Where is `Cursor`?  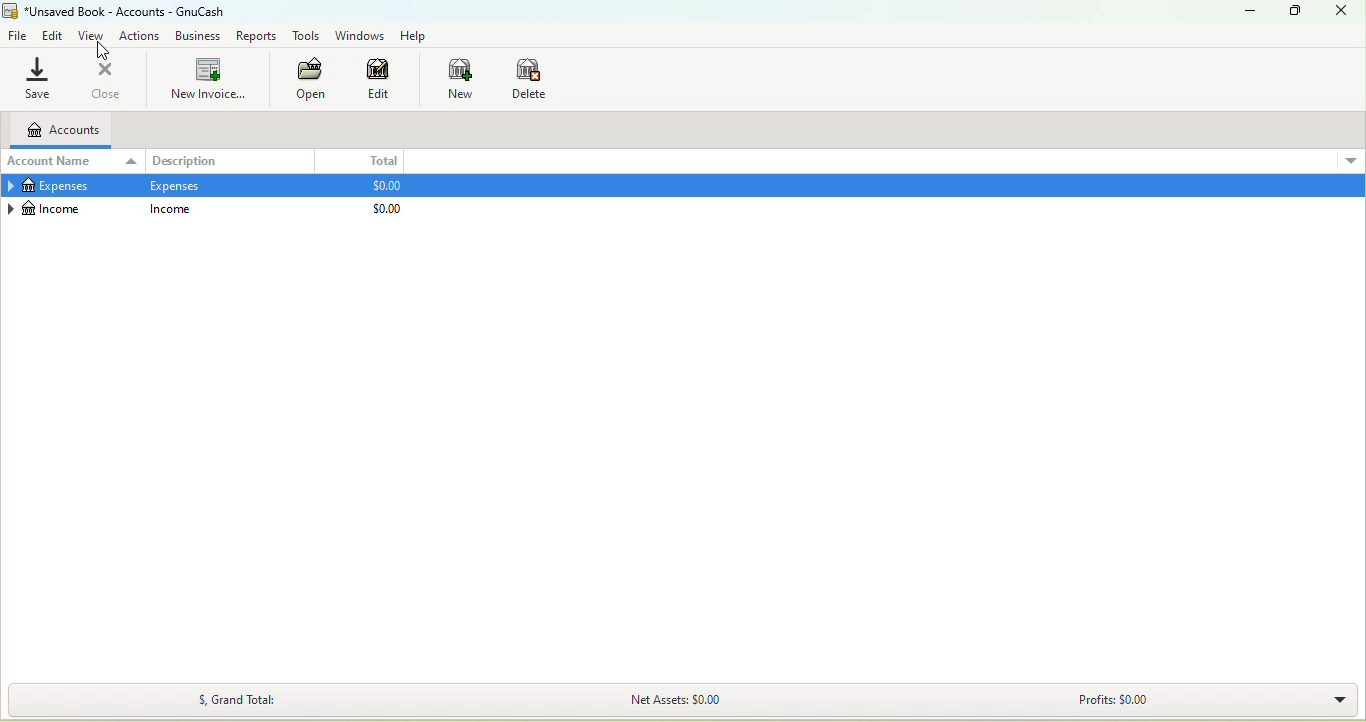 Cursor is located at coordinates (103, 52).